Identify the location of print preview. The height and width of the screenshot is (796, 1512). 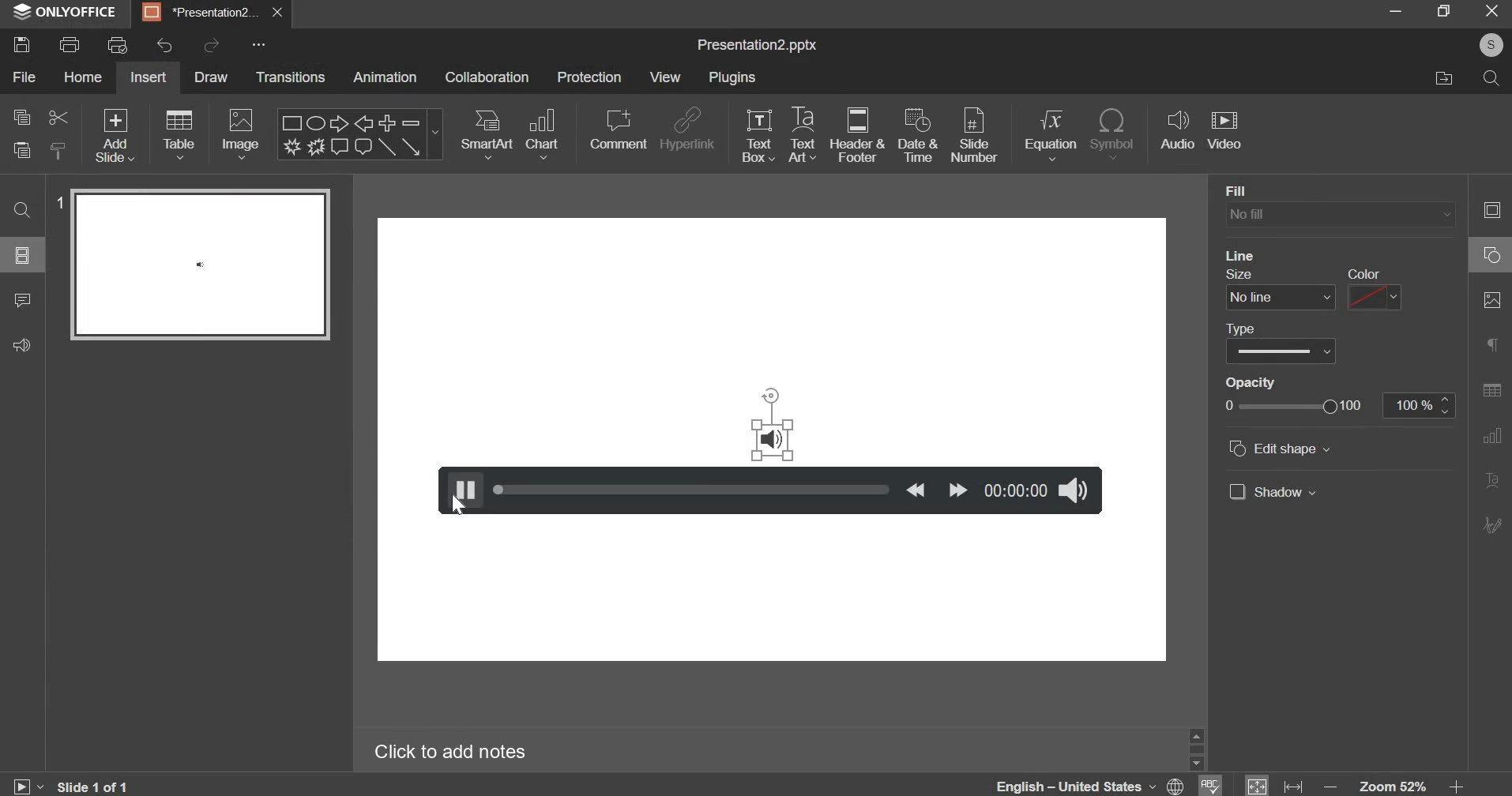
(119, 44).